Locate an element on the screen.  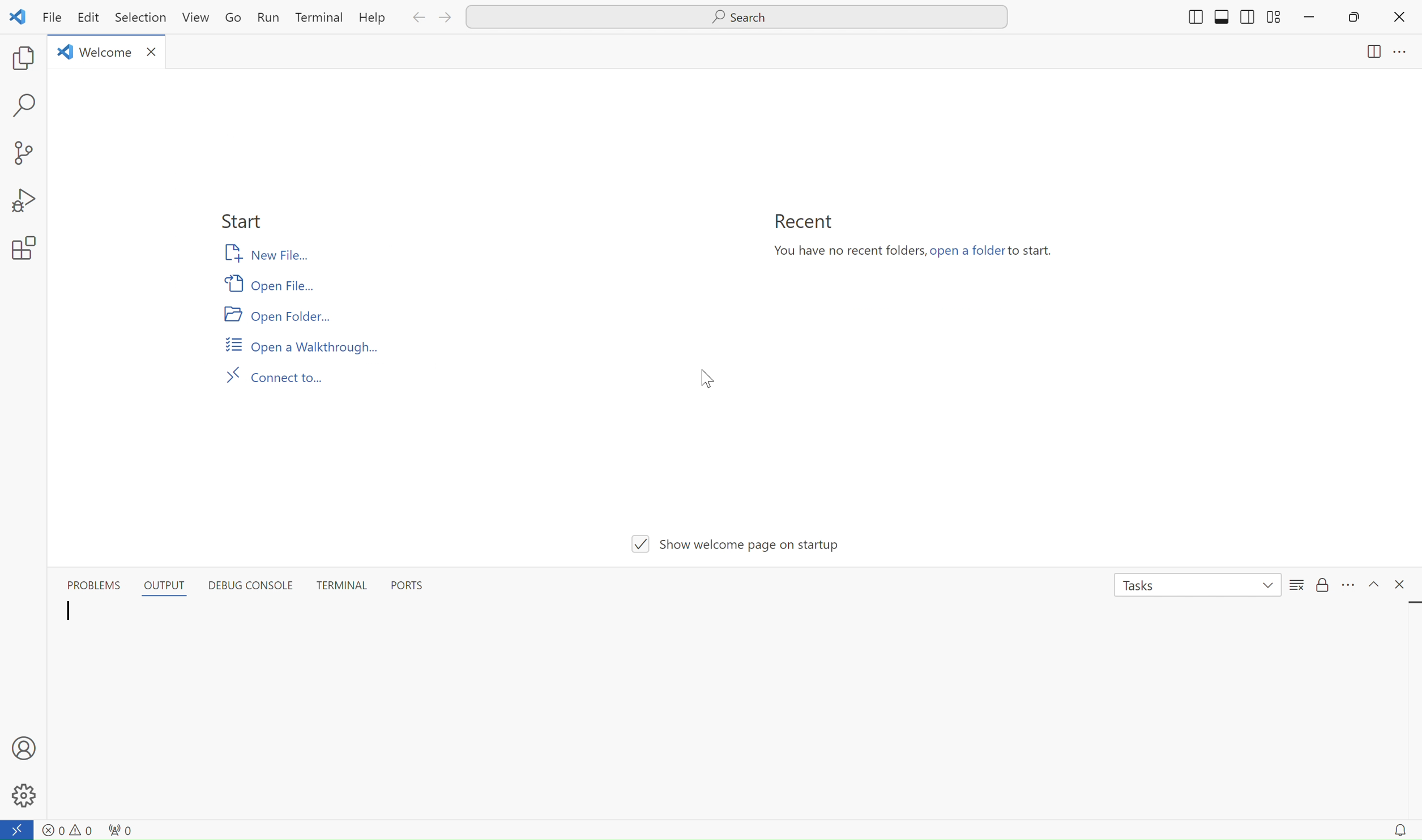
recent is located at coordinates (801, 224).